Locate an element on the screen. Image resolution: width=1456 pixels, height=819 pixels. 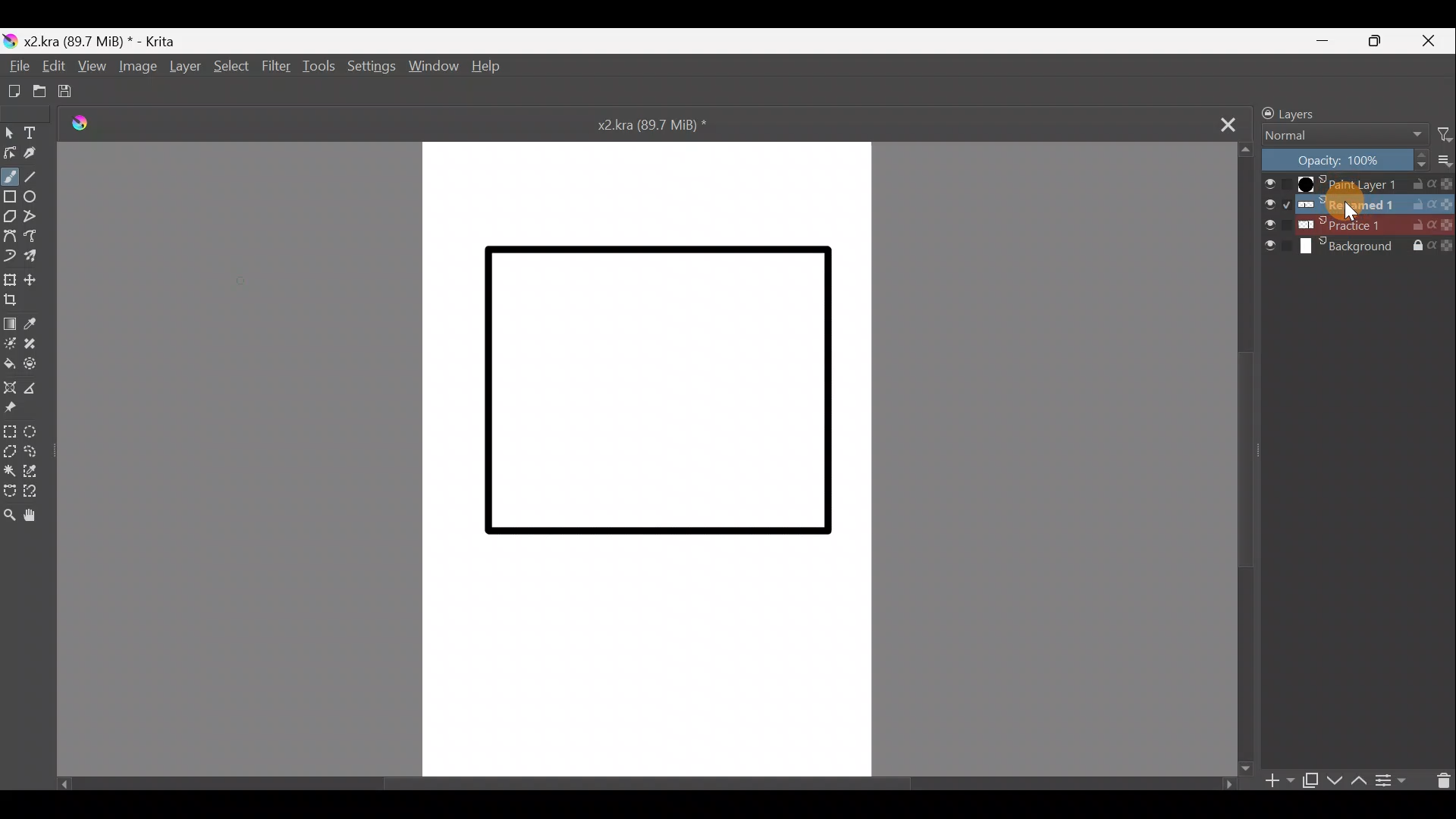
Image is located at coordinates (140, 67).